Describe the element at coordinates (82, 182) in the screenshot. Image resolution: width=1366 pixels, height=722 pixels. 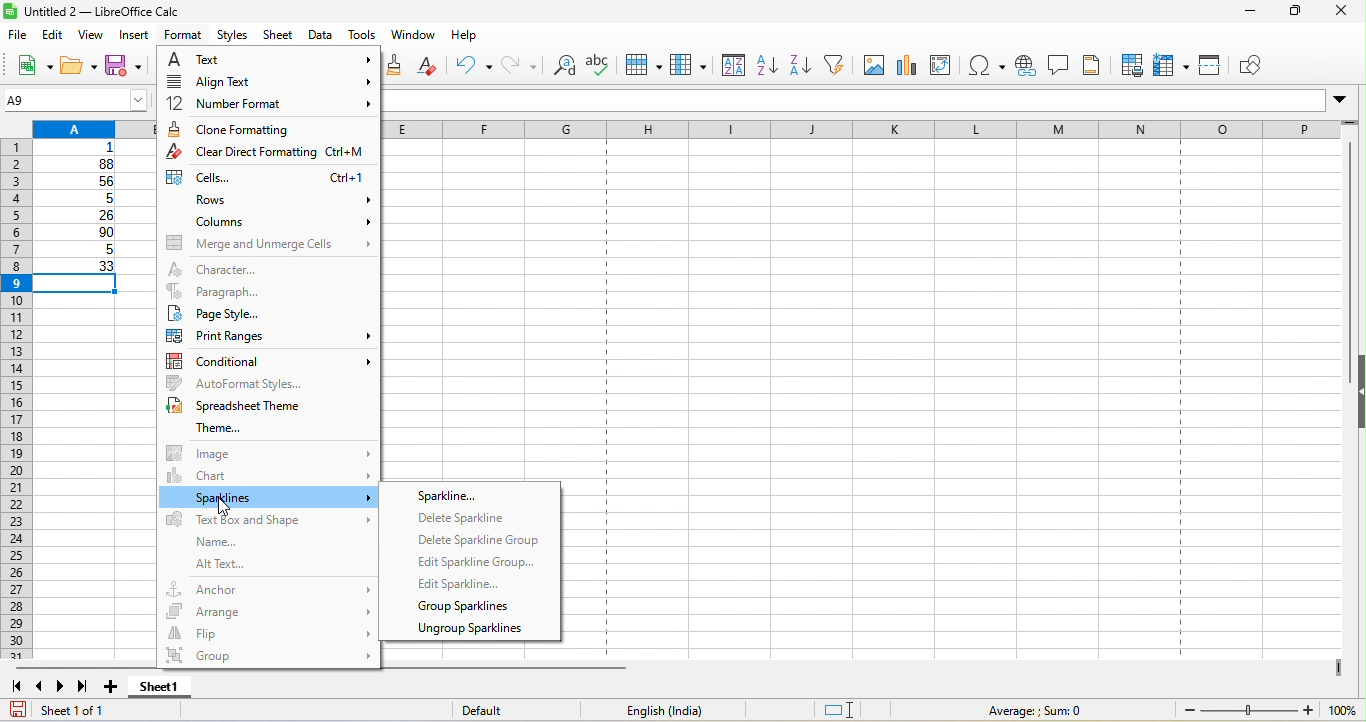
I see `56` at that location.